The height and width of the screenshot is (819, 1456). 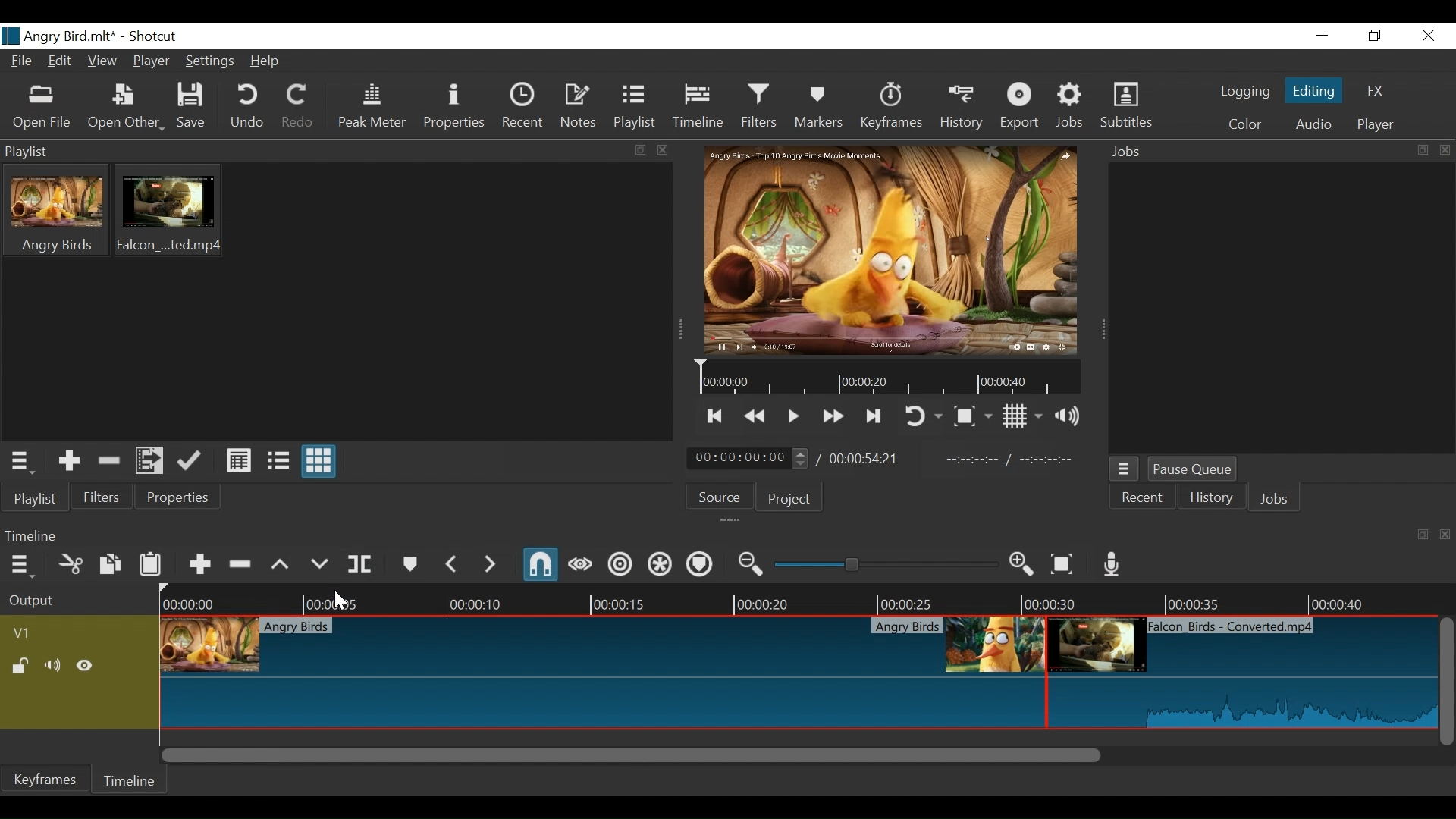 What do you see at coordinates (61, 62) in the screenshot?
I see `Edit` at bounding box center [61, 62].